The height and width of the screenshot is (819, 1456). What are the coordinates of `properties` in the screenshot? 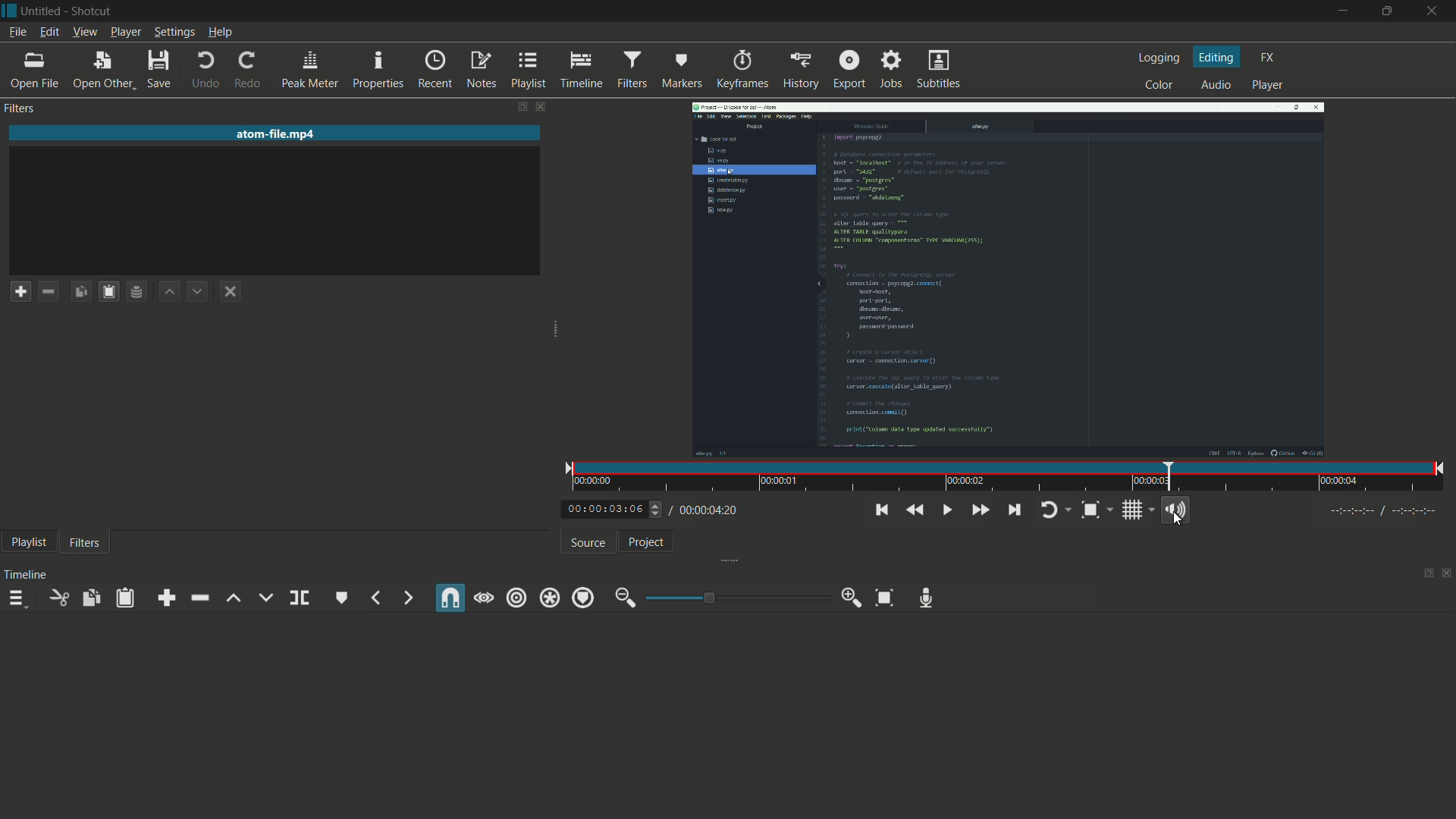 It's located at (377, 71).